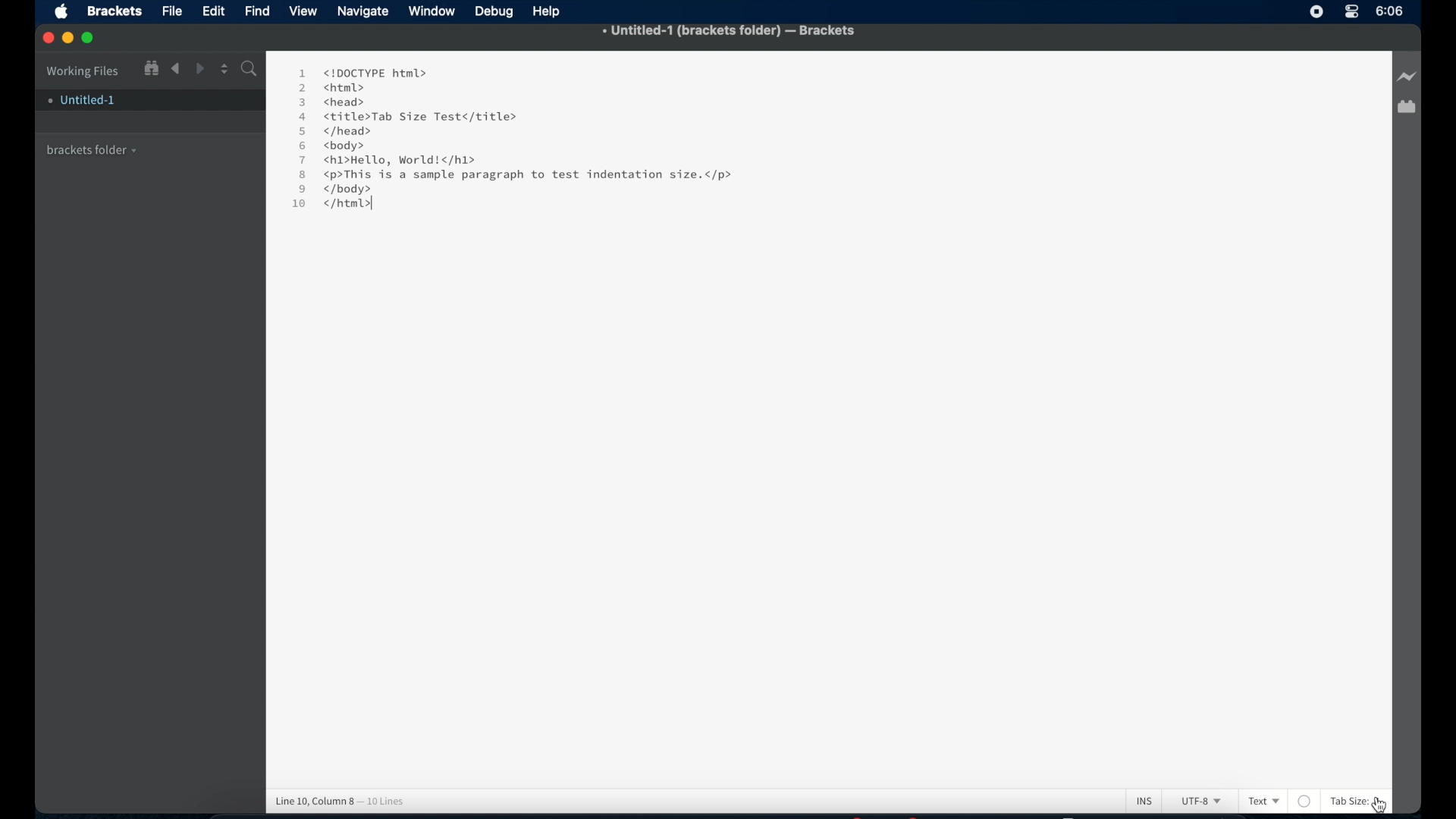 The width and height of the screenshot is (1456, 819). Describe the element at coordinates (306, 11) in the screenshot. I see `View` at that location.